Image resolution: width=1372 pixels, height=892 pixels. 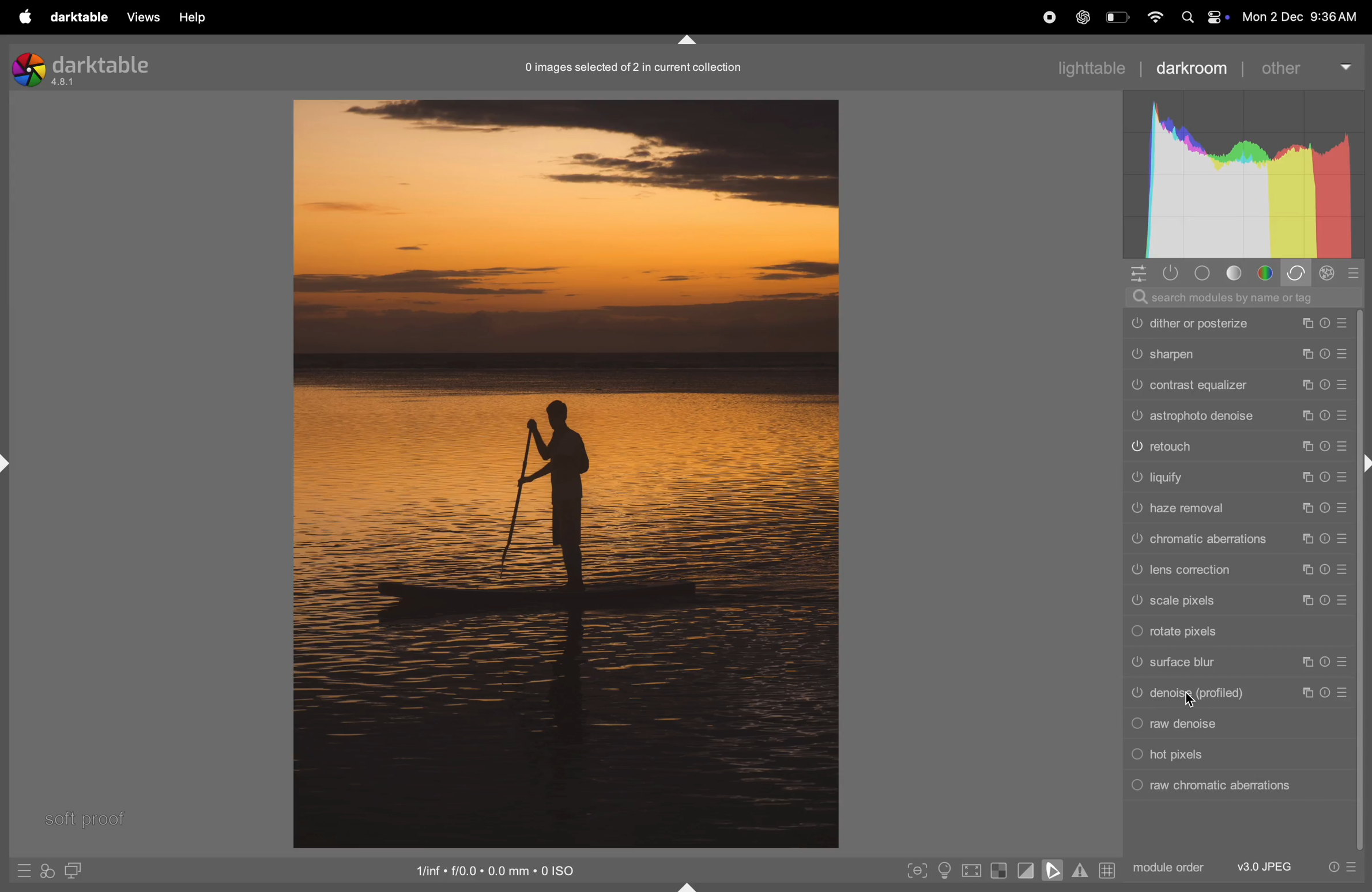 I want to click on chatgpt, so click(x=1081, y=18).